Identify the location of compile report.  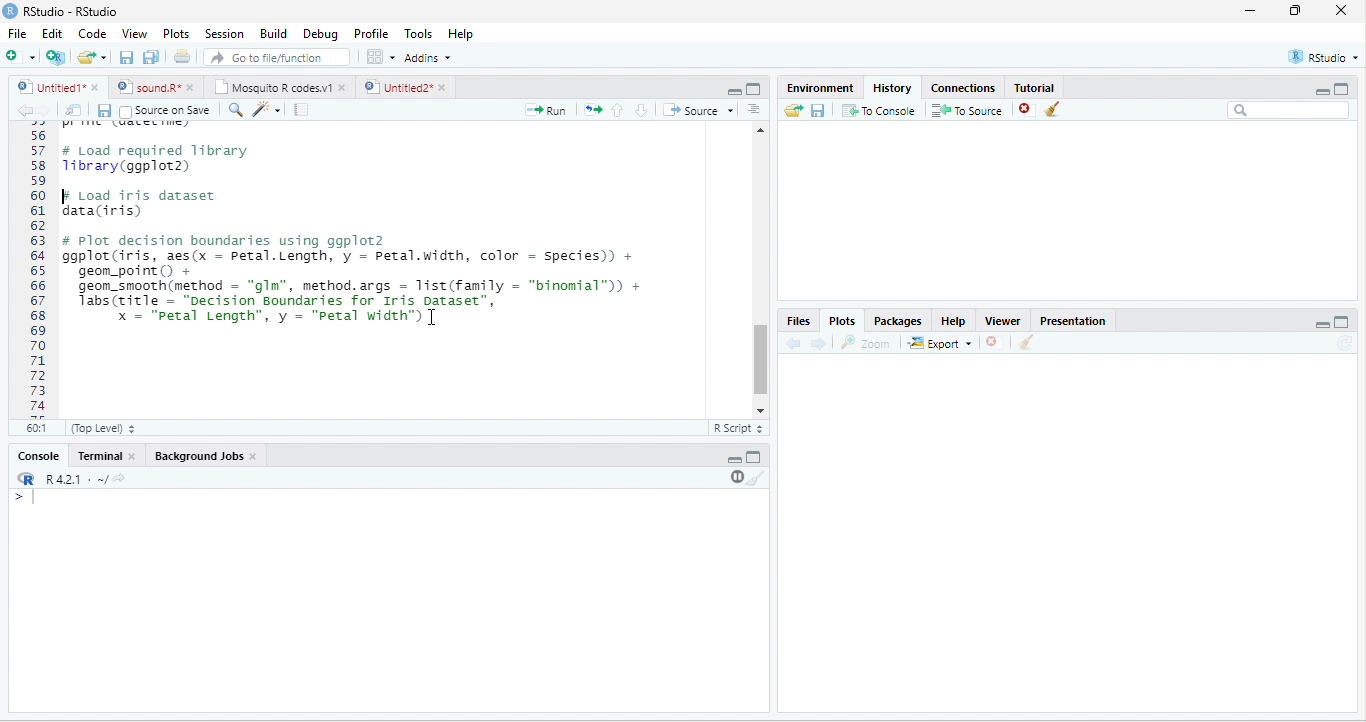
(301, 109).